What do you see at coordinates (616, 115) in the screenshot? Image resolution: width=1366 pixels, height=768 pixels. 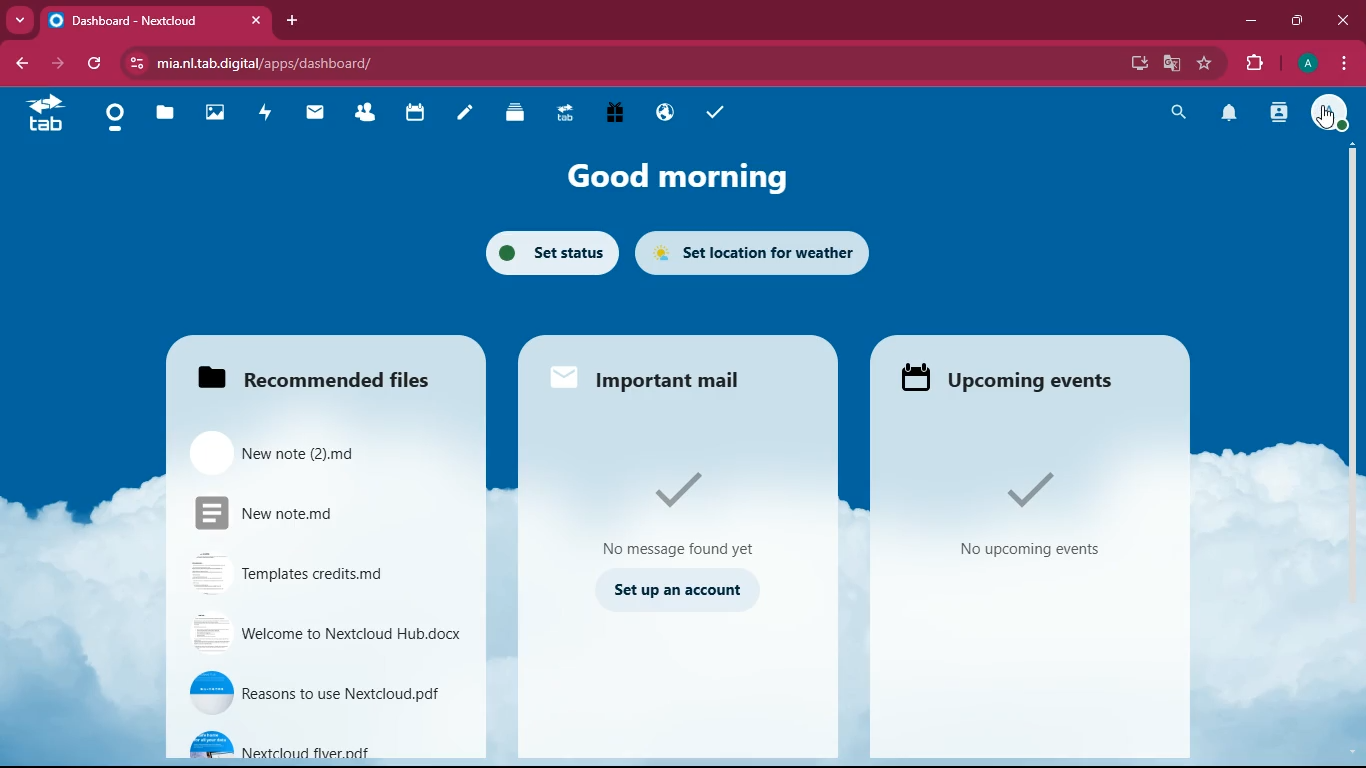 I see `gift` at bounding box center [616, 115].